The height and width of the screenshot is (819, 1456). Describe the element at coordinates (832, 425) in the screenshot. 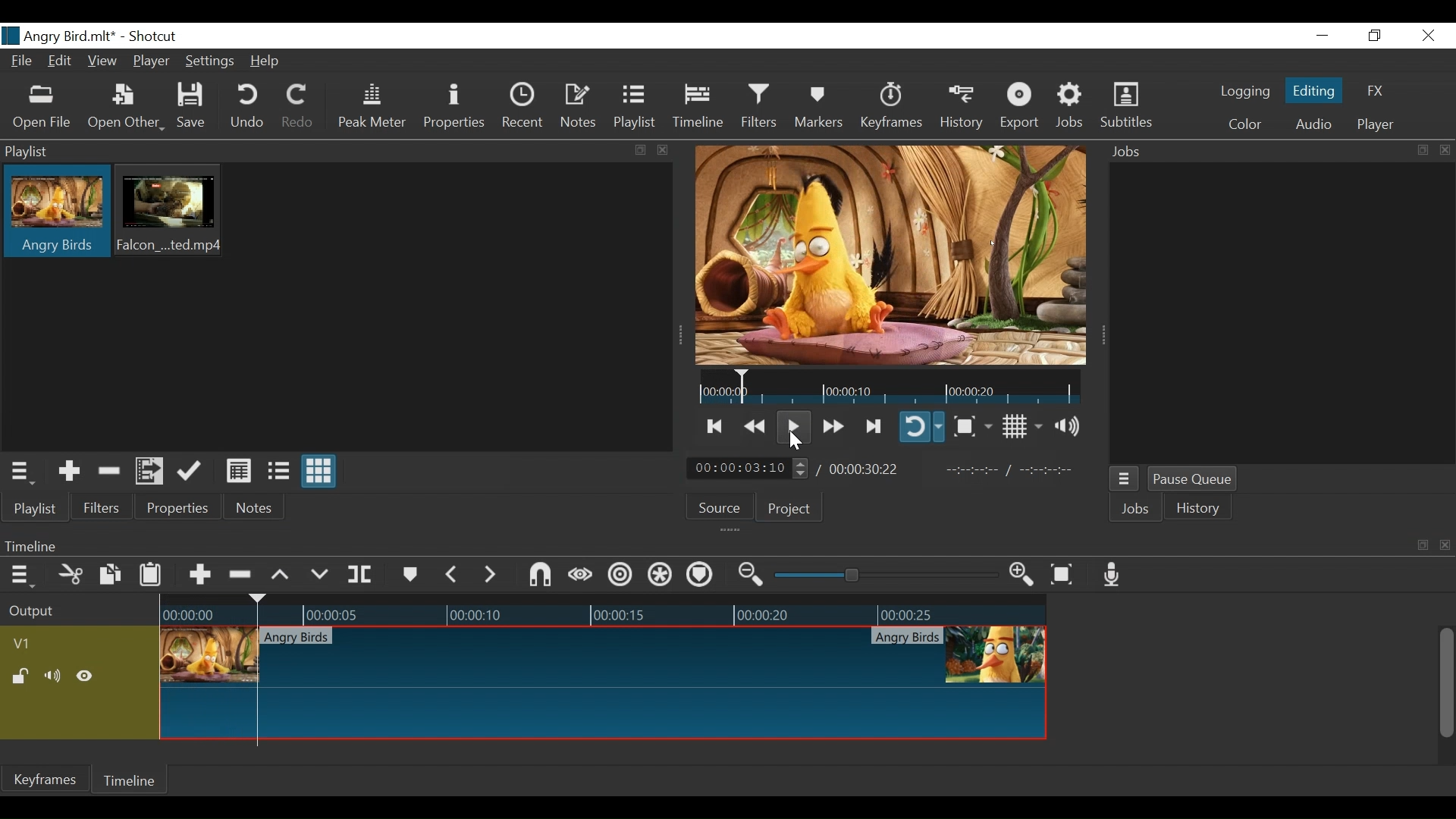

I see `Play quickly forward` at that location.